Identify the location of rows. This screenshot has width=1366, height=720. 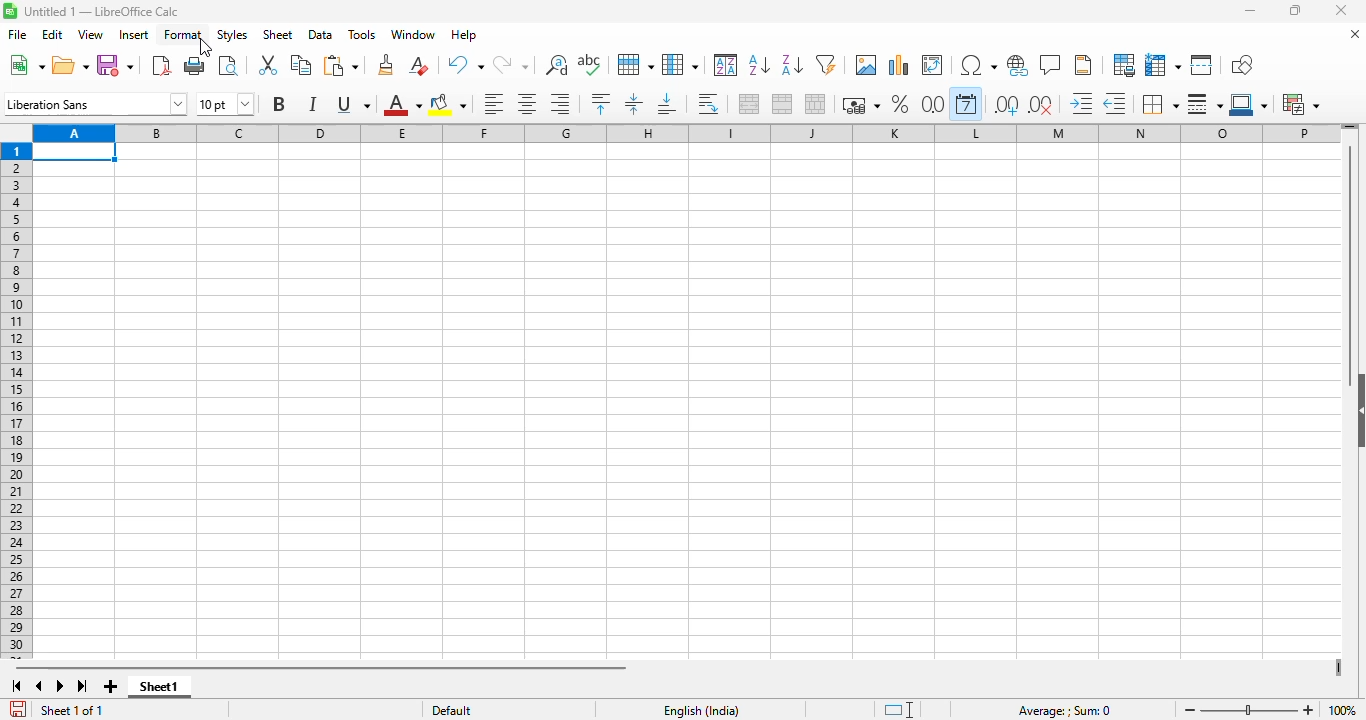
(16, 401).